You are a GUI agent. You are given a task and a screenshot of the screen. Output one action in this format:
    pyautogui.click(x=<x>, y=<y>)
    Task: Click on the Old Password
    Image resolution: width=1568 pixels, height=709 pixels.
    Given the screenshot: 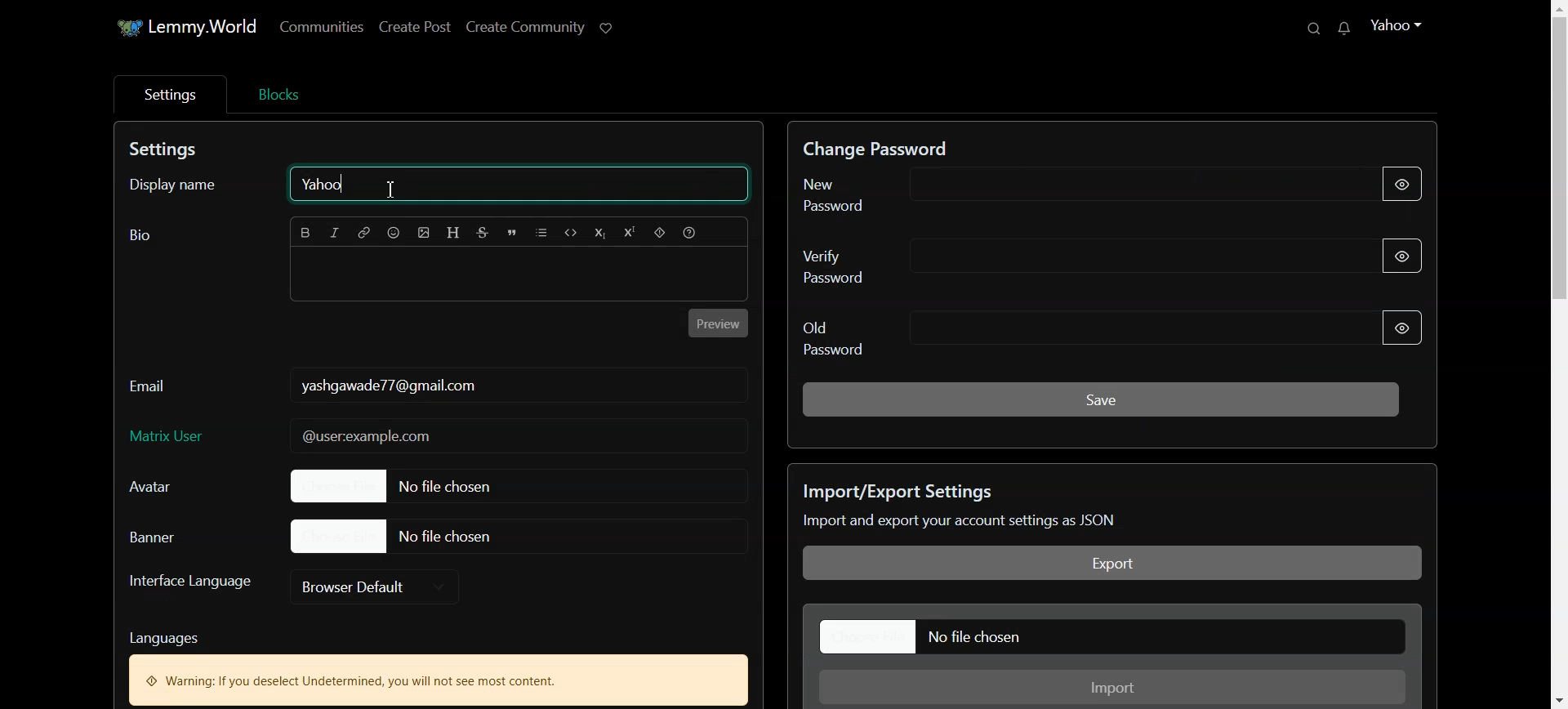 What is the action you would take?
    pyautogui.click(x=1056, y=336)
    